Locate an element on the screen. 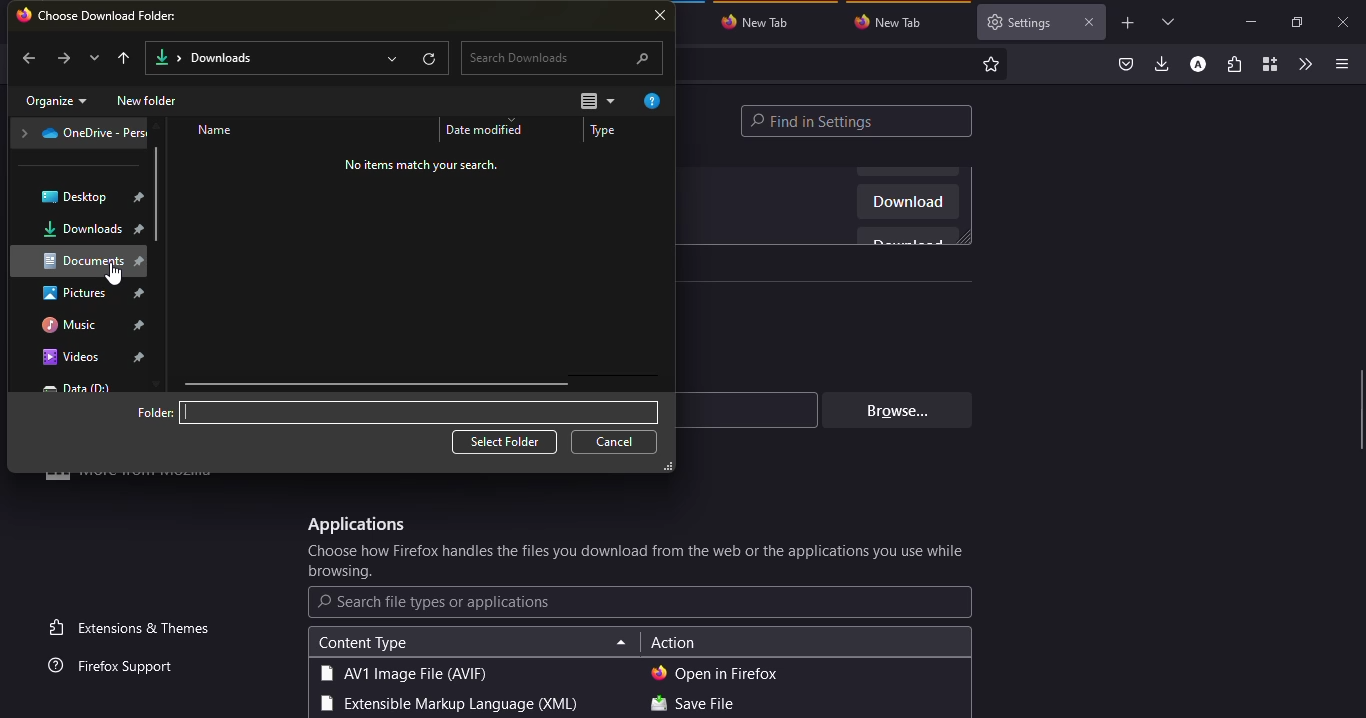 The height and width of the screenshot is (718, 1366). tab is located at coordinates (1021, 22).